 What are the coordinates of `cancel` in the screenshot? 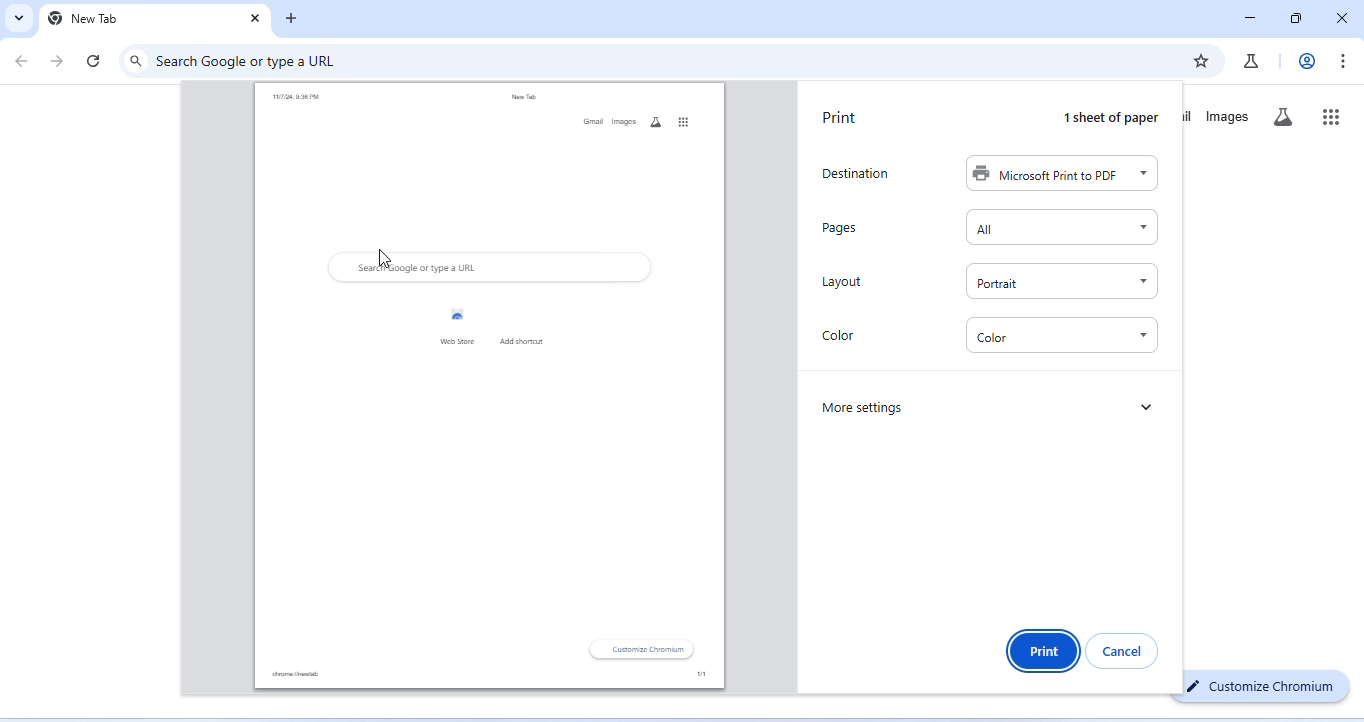 It's located at (1126, 649).